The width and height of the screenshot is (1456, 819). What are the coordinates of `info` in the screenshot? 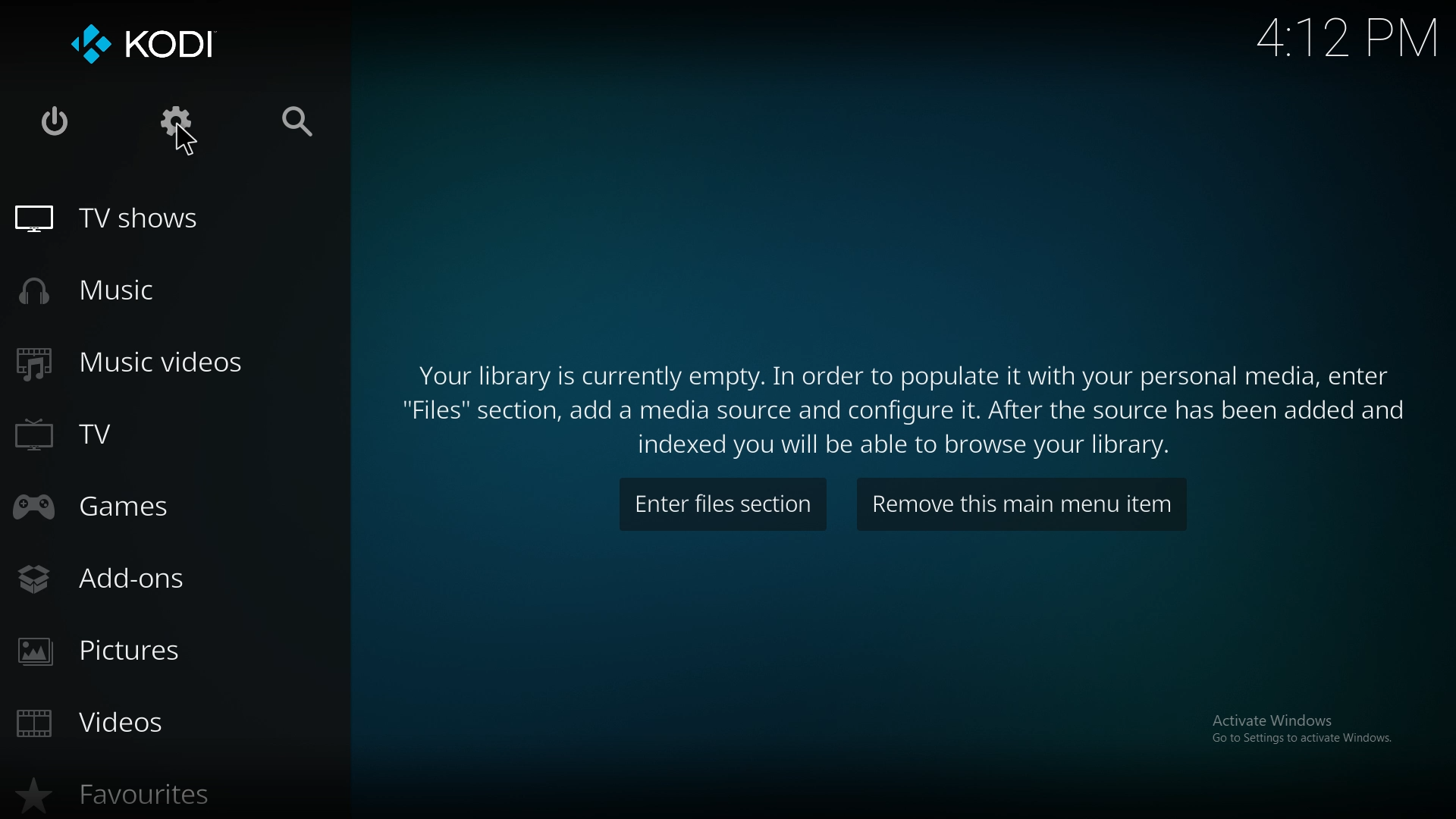 It's located at (913, 404).